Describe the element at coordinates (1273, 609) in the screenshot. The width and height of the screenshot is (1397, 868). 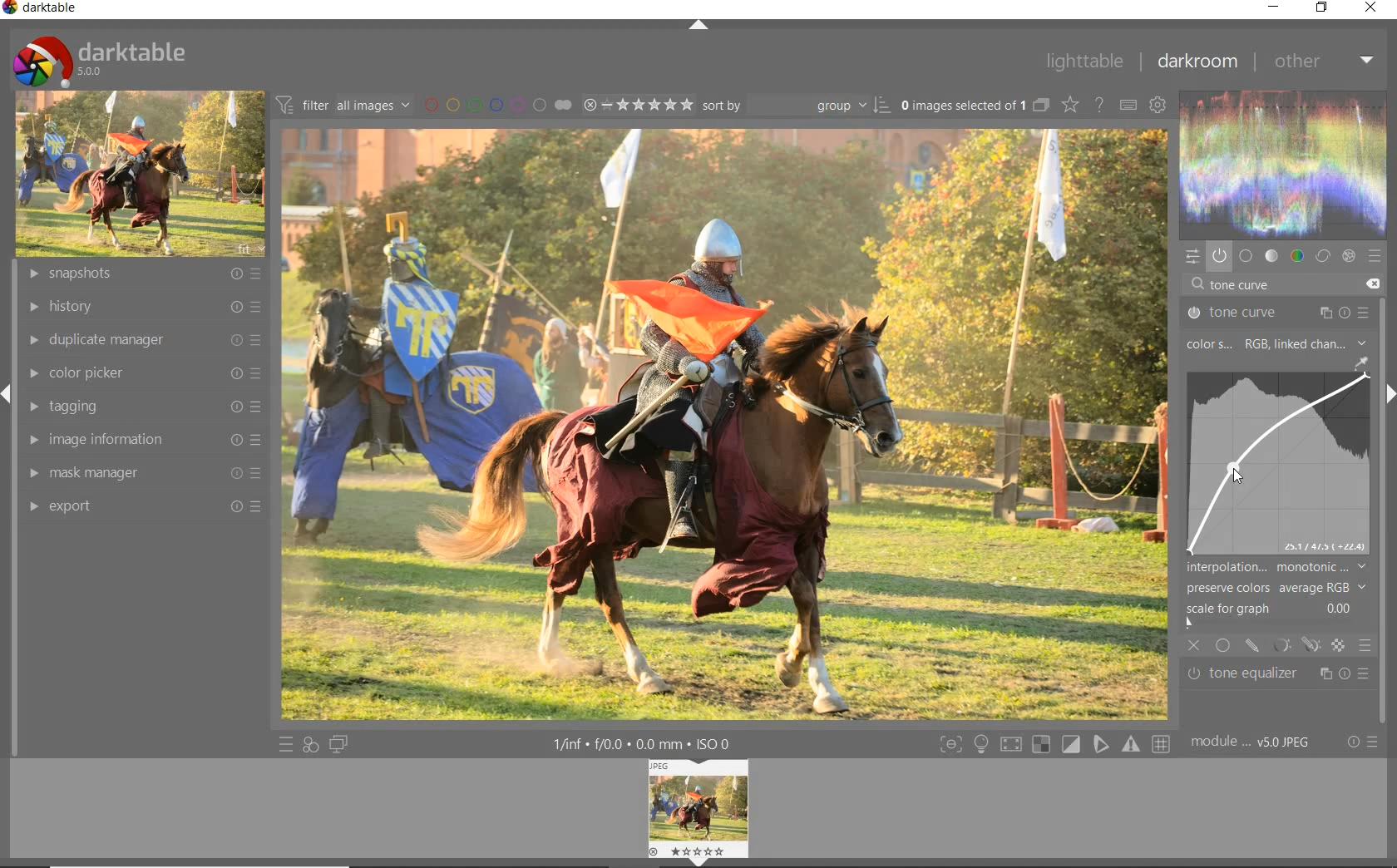
I see `scale for graph` at that location.